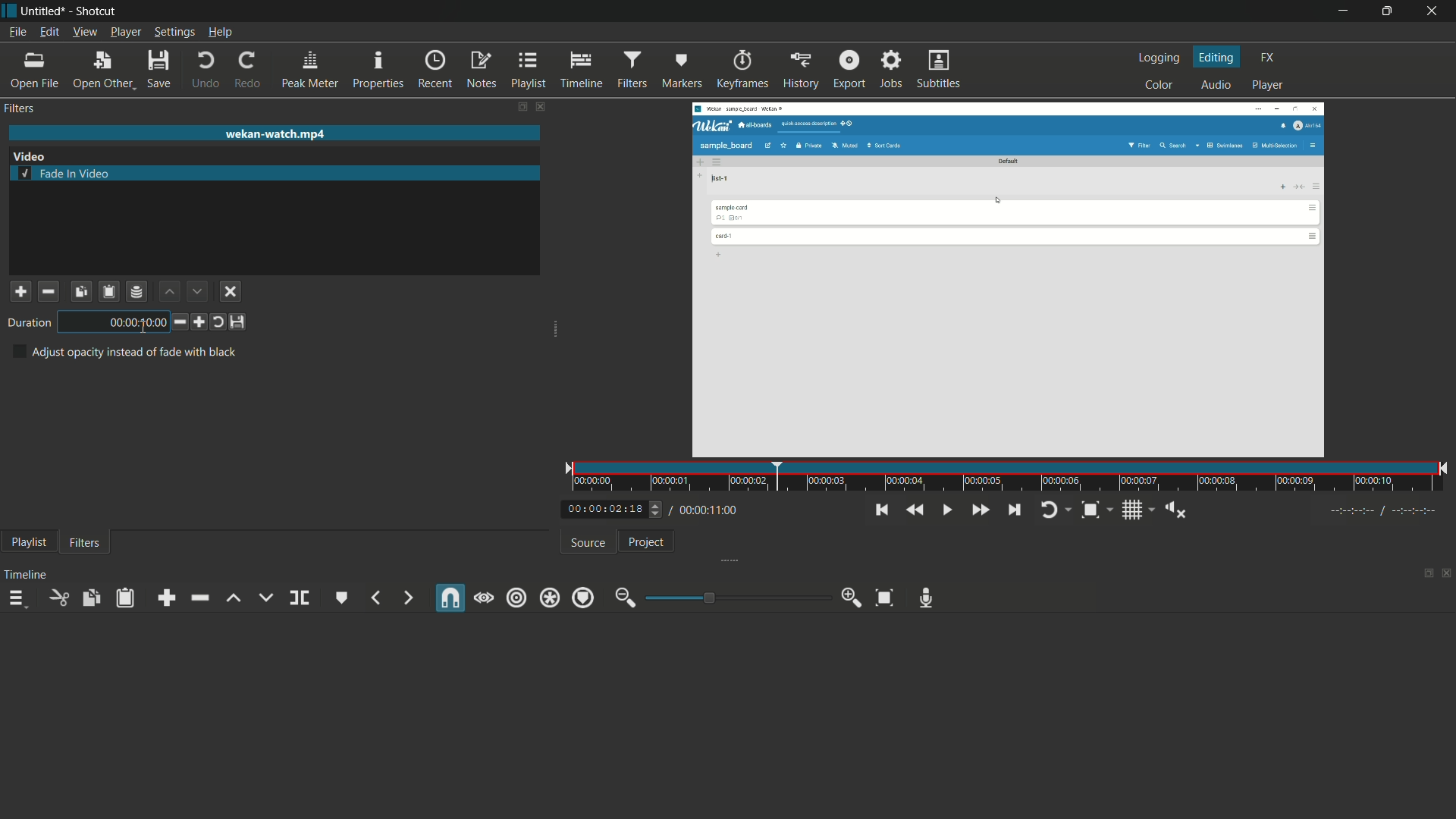 The width and height of the screenshot is (1456, 819). What do you see at coordinates (712, 510) in the screenshot?
I see `total time` at bounding box center [712, 510].